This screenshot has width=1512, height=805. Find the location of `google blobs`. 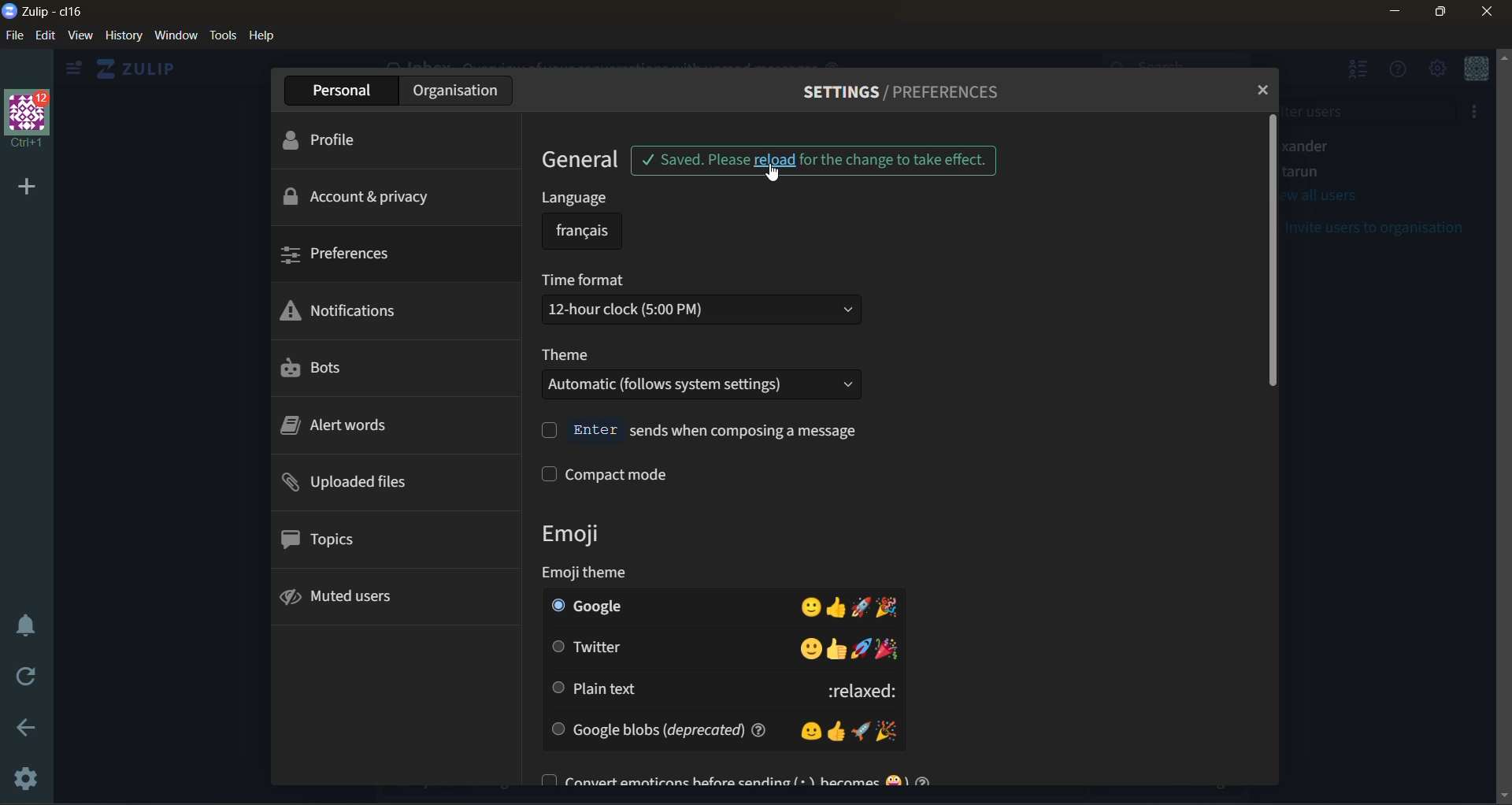

google blobs is located at coordinates (727, 728).